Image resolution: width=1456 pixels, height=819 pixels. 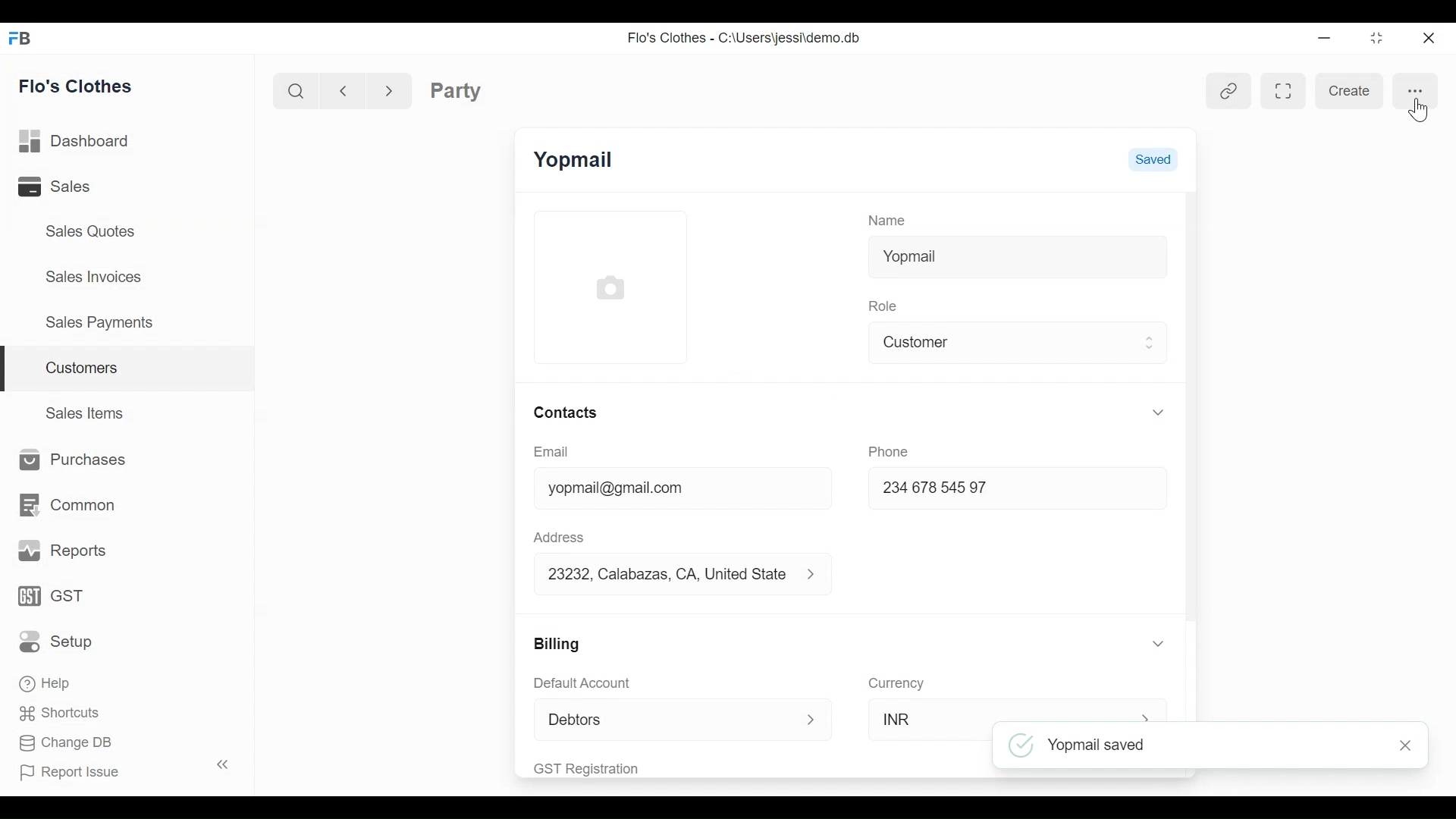 I want to click on Yopmail, so click(x=576, y=158).